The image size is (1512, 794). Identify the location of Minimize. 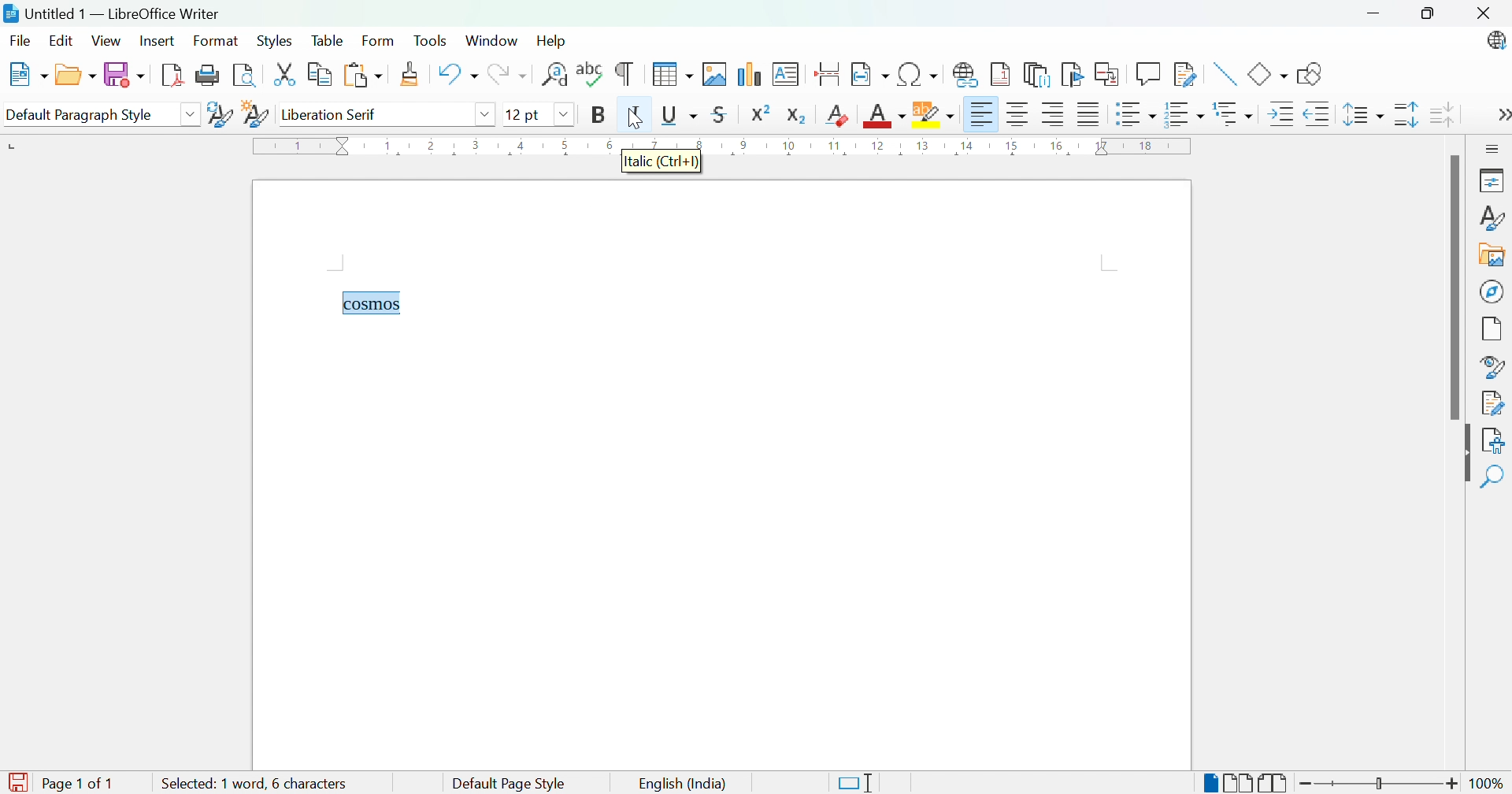
(1377, 16).